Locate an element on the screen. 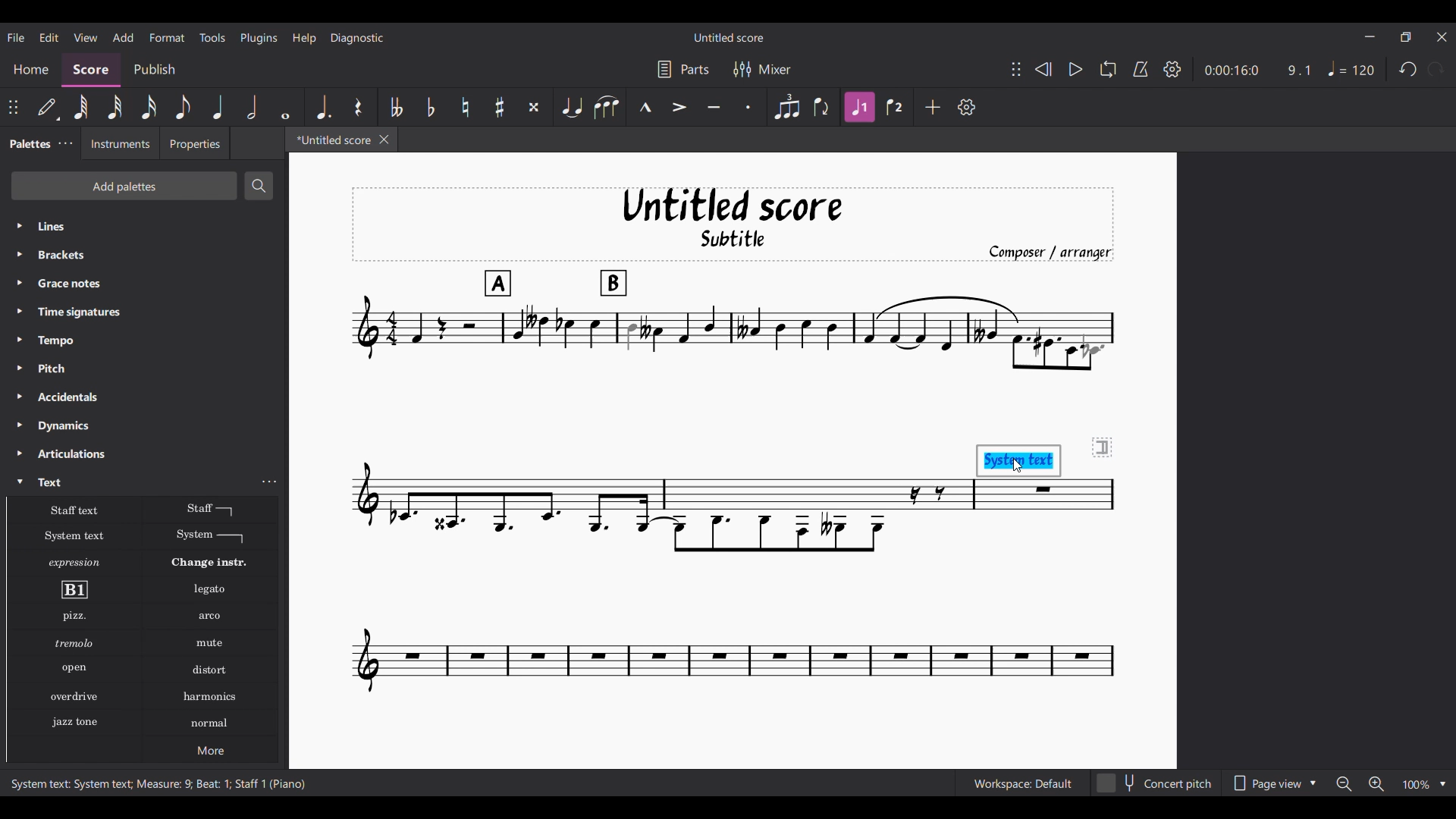 This screenshot has height=819, width=1456. Format menu is located at coordinates (168, 37).